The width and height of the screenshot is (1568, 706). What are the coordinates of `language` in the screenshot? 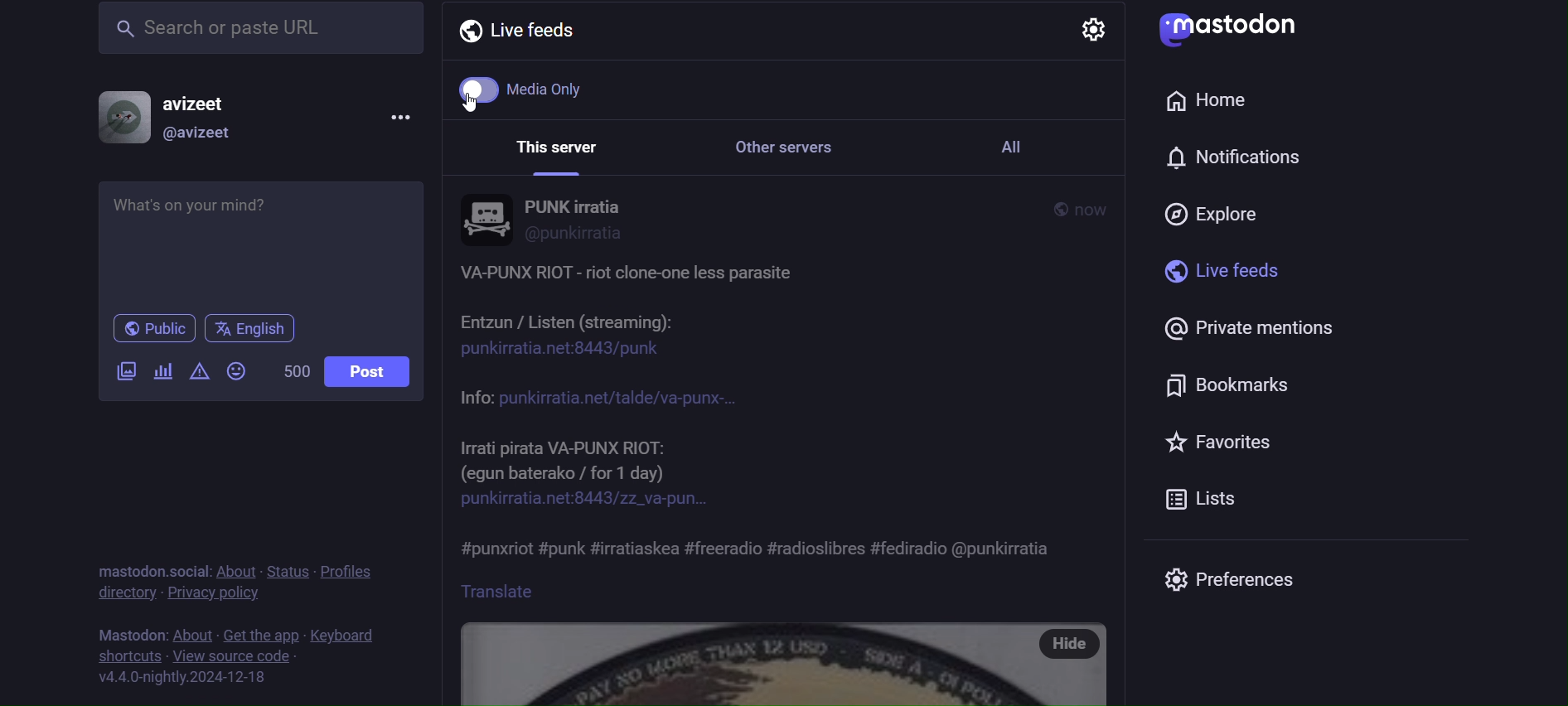 It's located at (251, 330).